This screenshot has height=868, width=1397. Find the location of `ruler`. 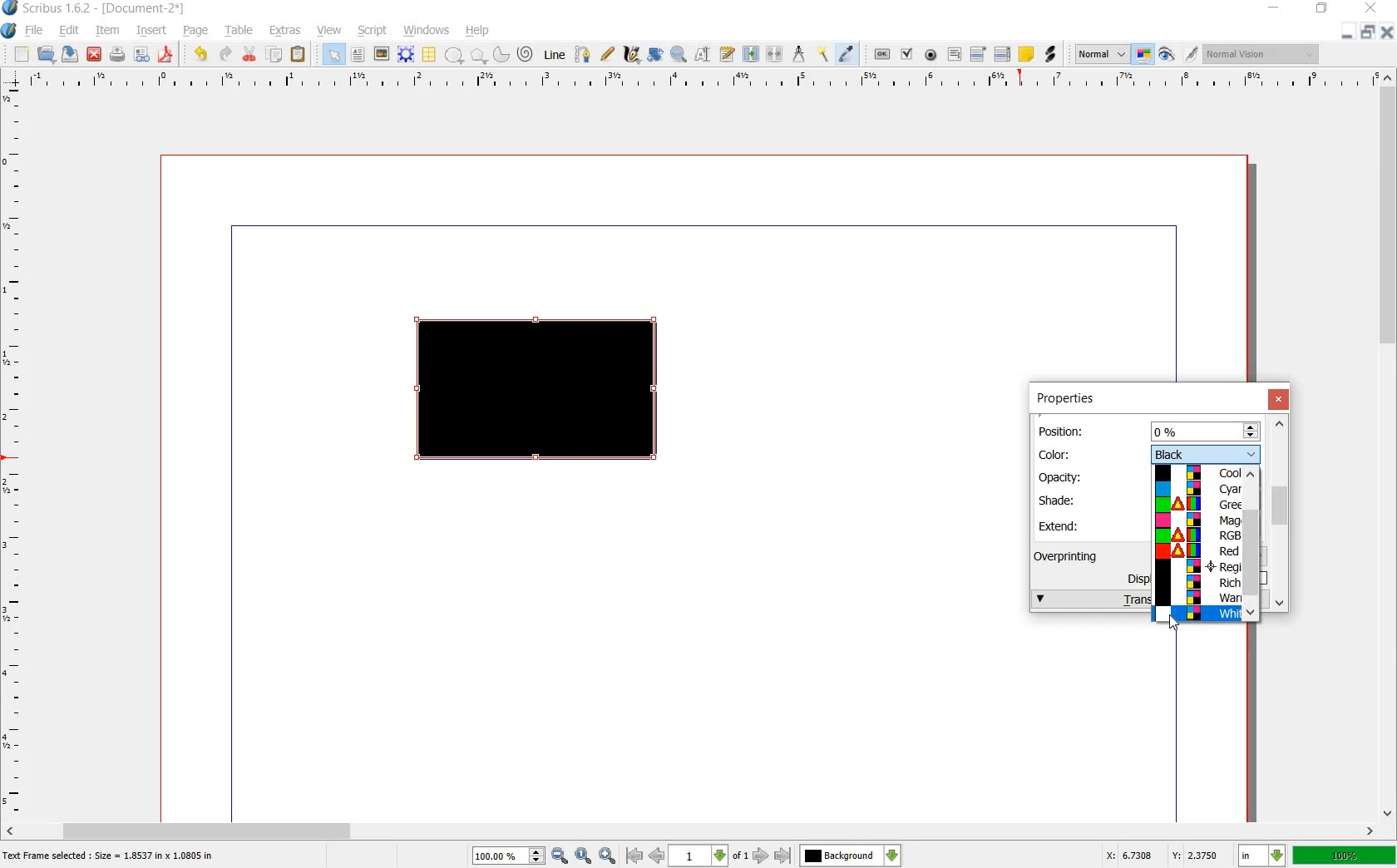

ruler is located at coordinates (14, 452).